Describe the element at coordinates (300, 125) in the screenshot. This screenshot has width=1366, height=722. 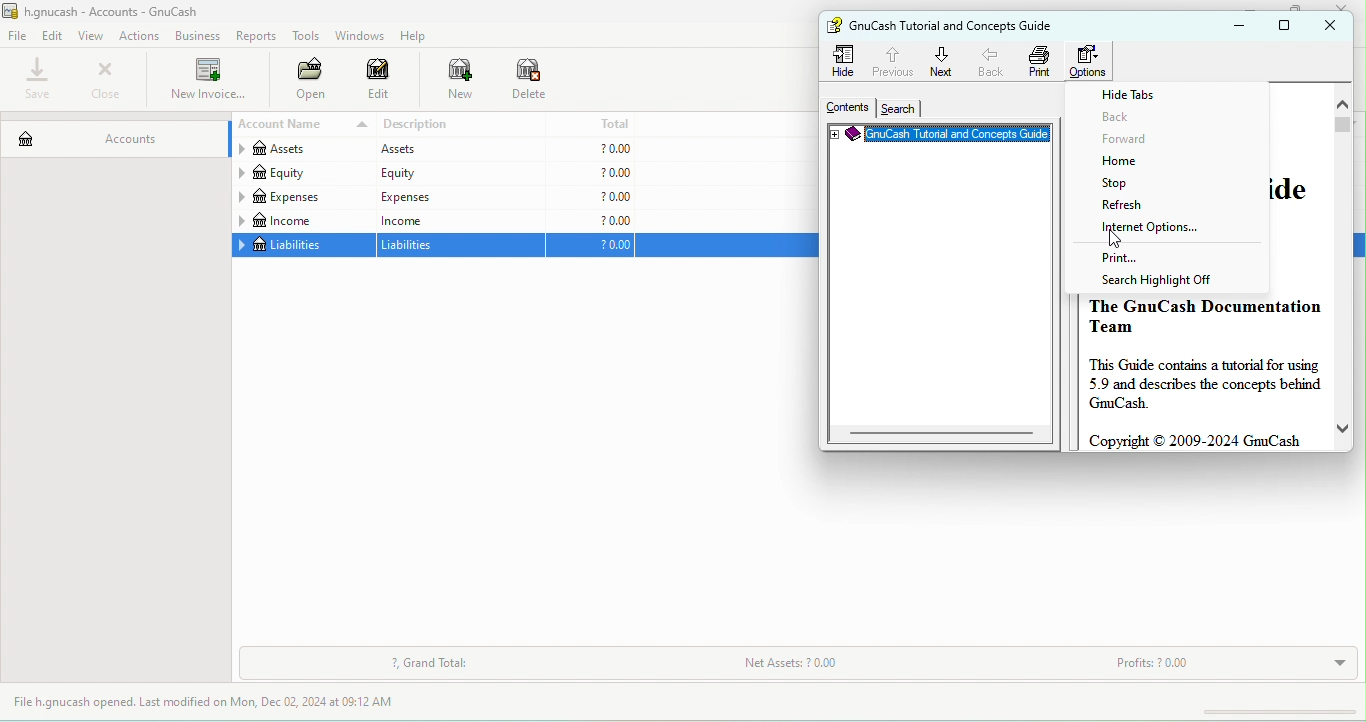
I see `account name` at that location.